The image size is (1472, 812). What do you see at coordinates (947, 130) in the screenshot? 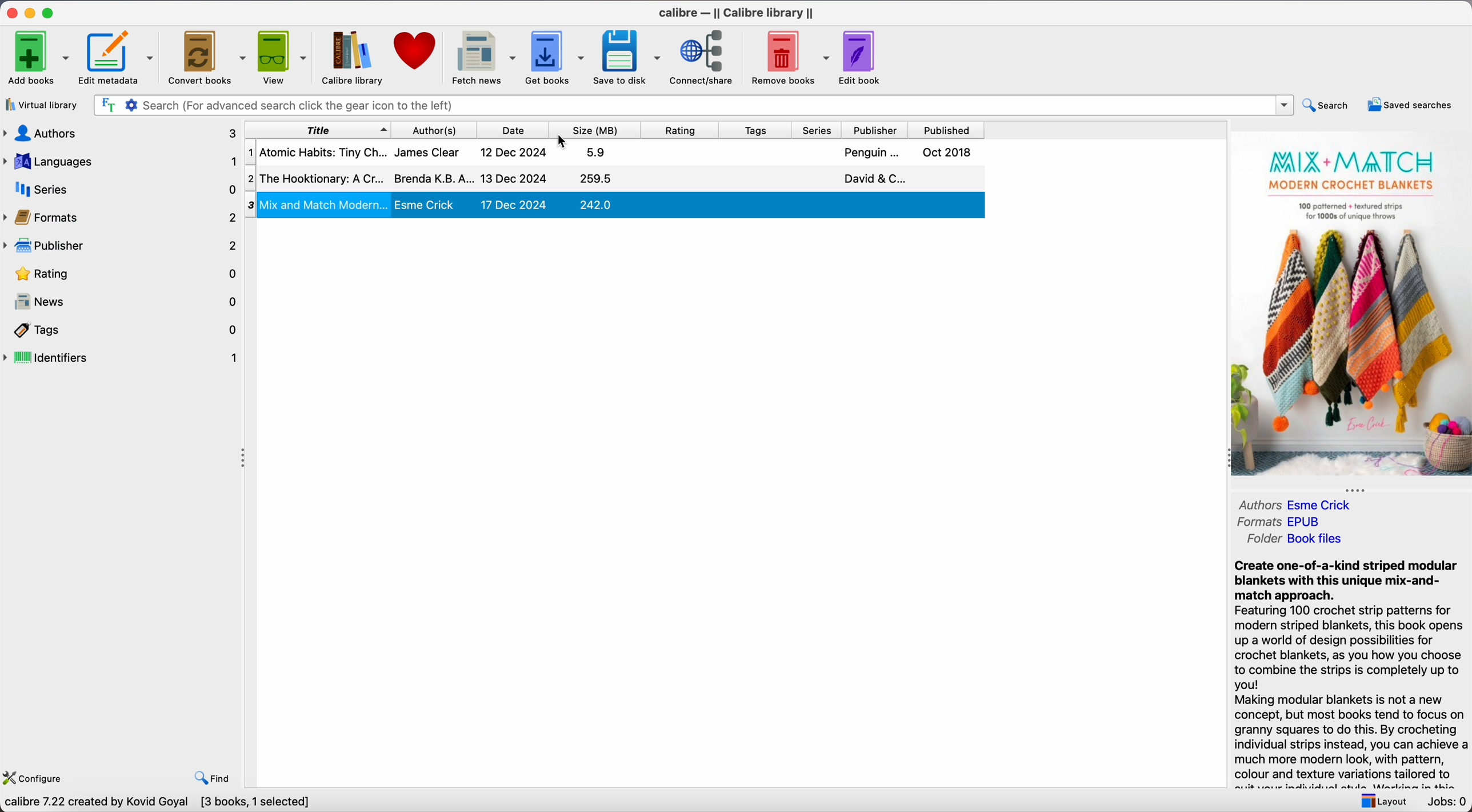
I see `published` at bounding box center [947, 130].